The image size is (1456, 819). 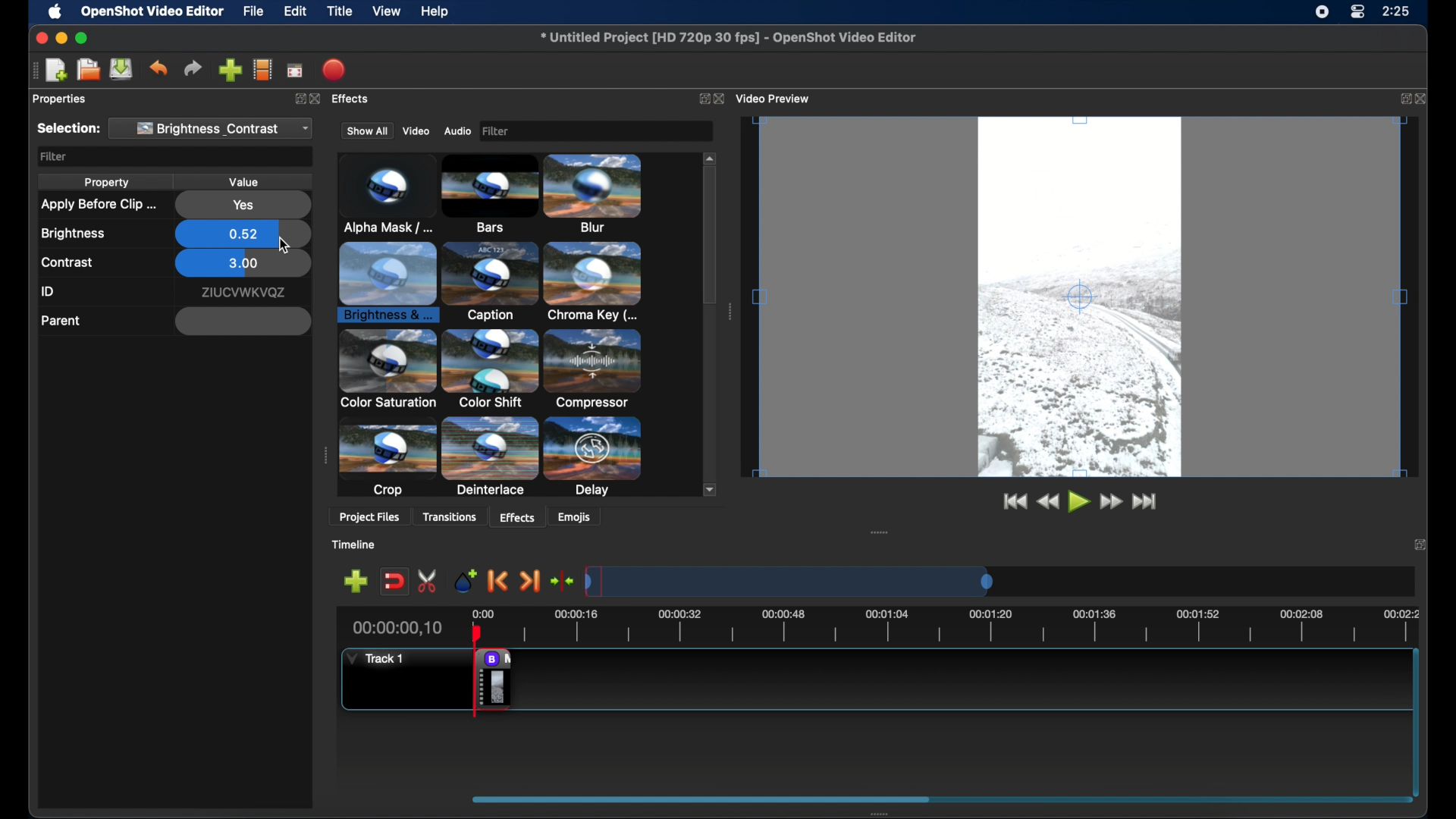 What do you see at coordinates (56, 69) in the screenshot?
I see `new project` at bounding box center [56, 69].